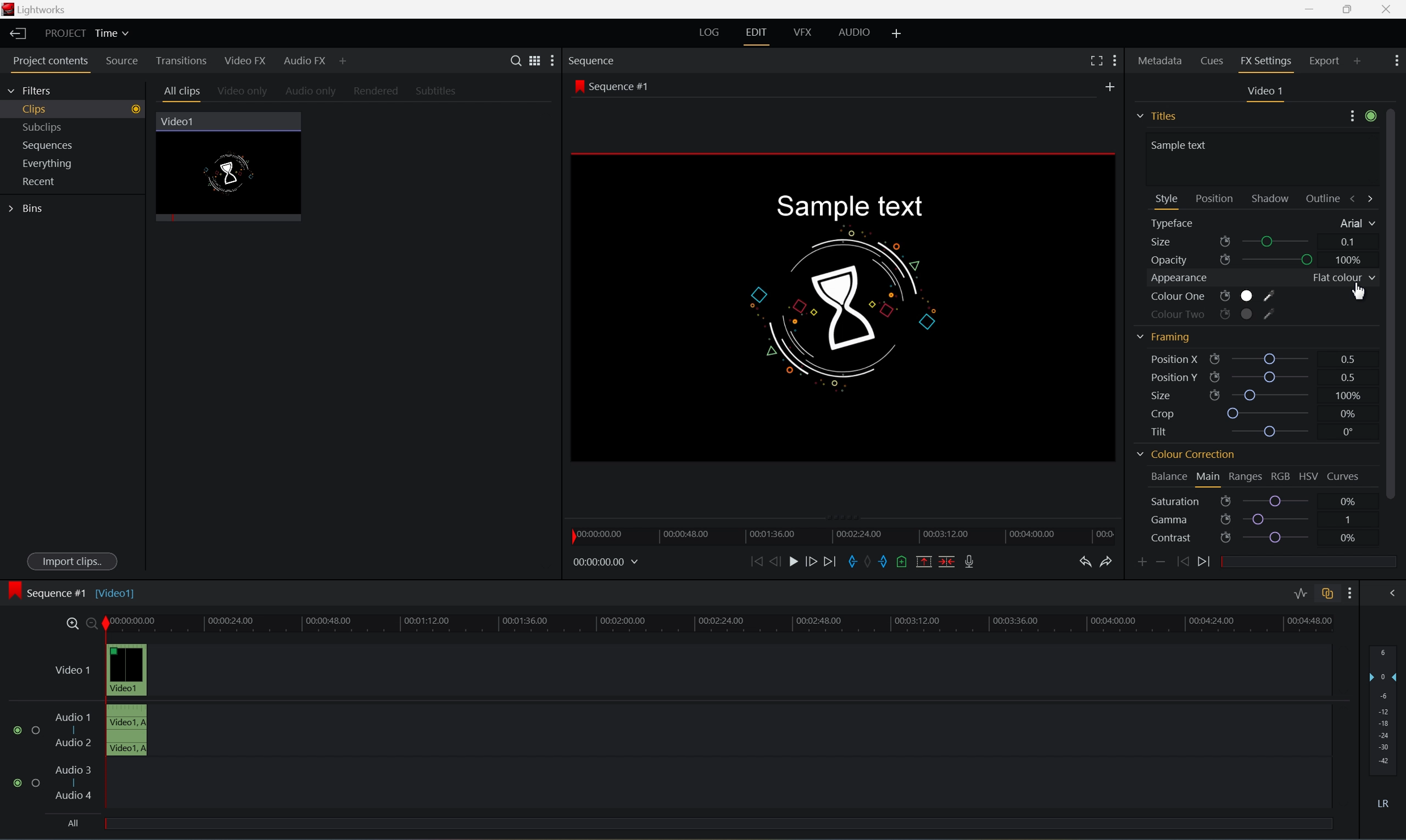 The width and height of the screenshot is (1406, 840). What do you see at coordinates (606, 561) in the screenshot?
I see `Frame time` at bounding box center [606, 561].